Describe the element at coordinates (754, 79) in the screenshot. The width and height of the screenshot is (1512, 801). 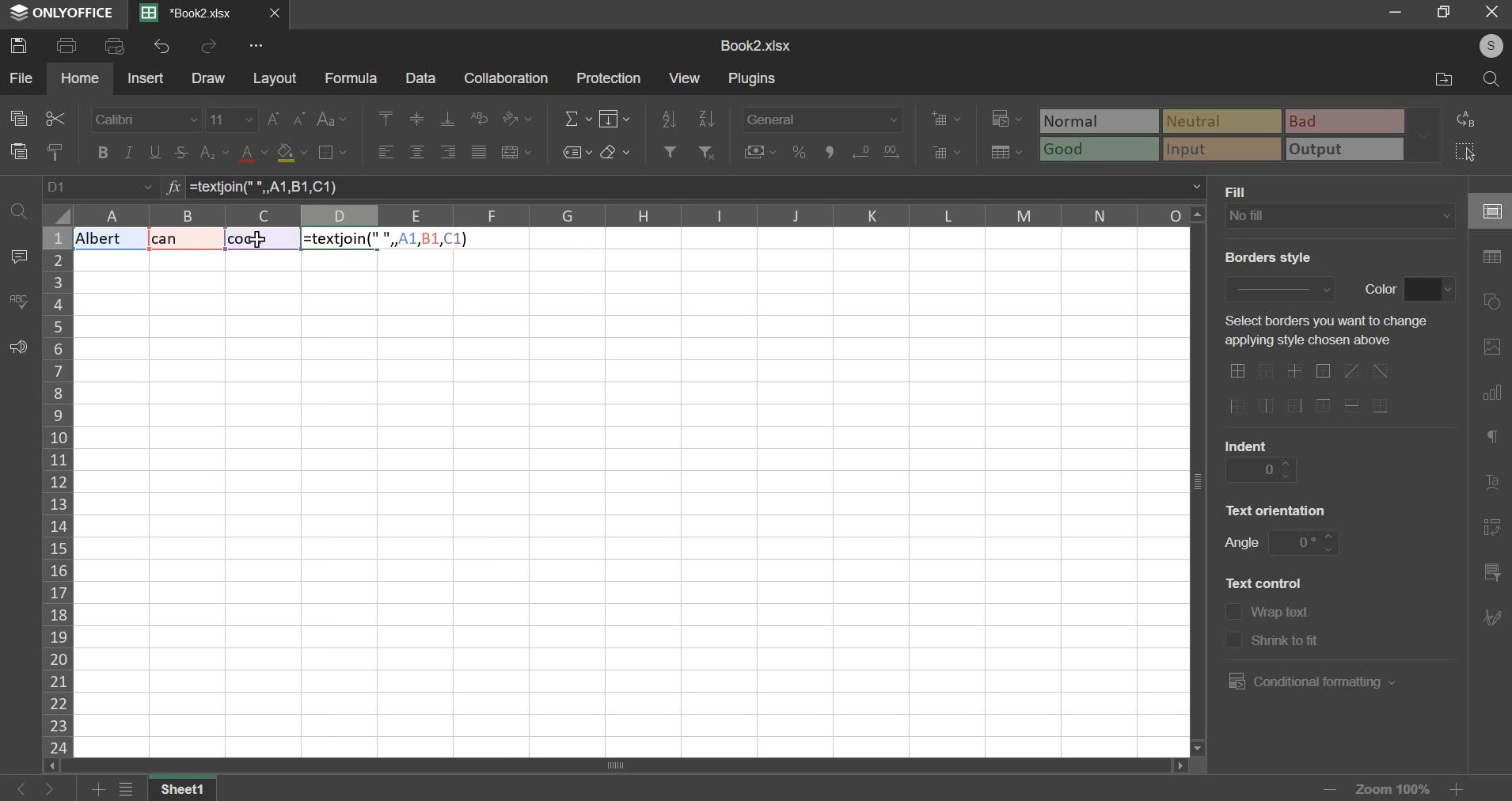
I see `plugins` at that location.